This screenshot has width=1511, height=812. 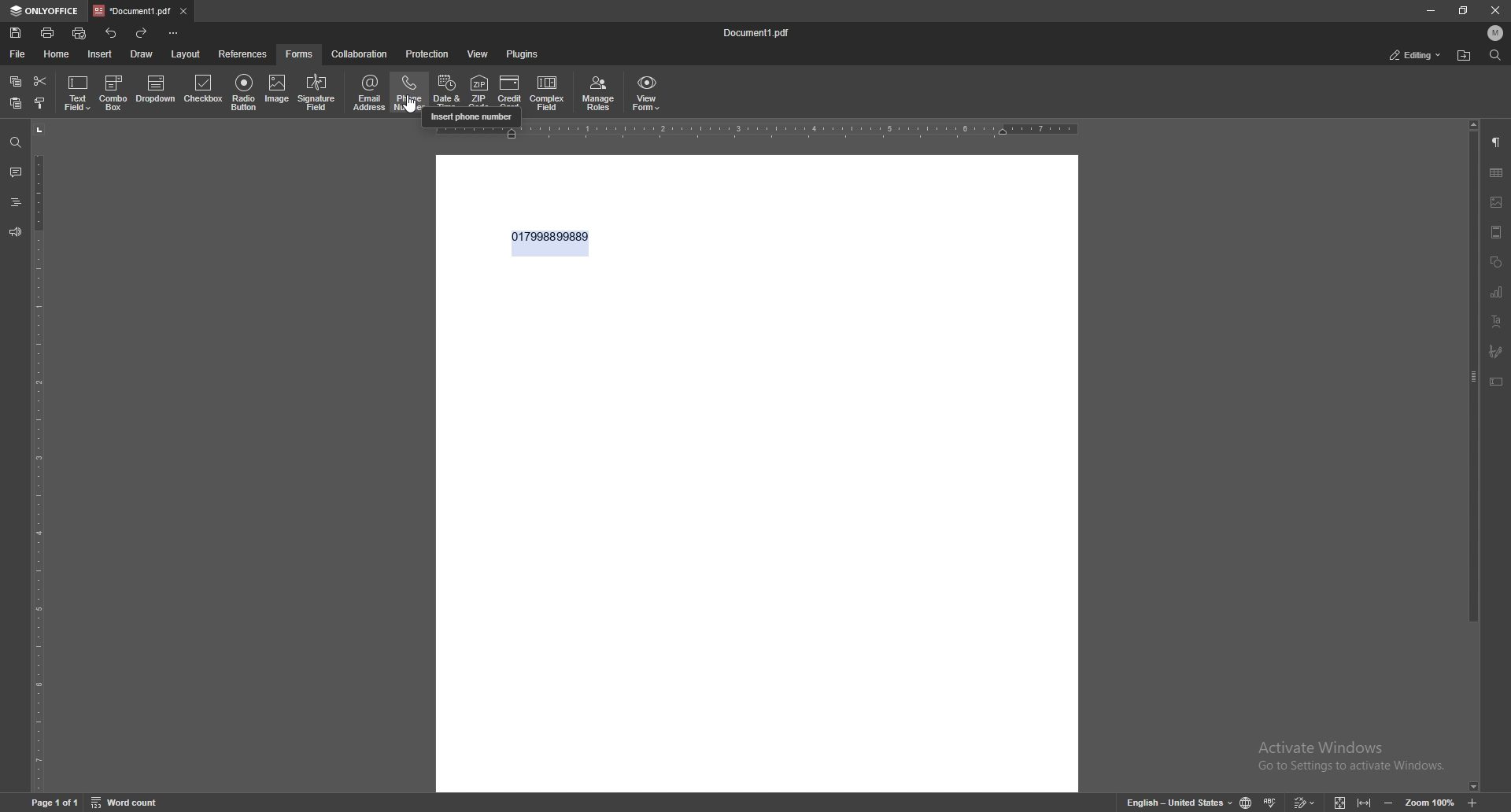 I want to click on file, so click(x=17, y=55).